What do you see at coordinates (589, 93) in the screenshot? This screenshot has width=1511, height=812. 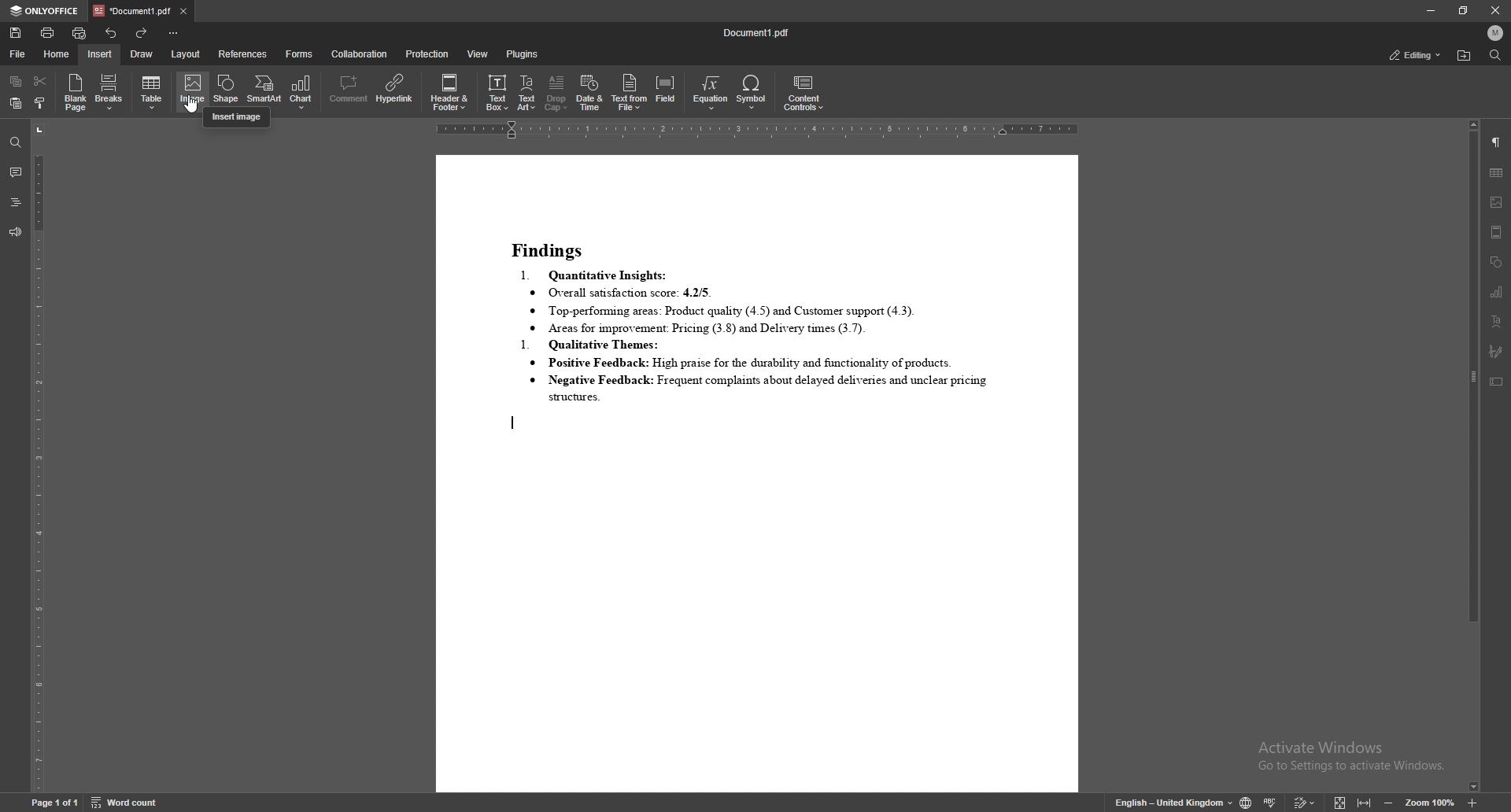 I see `date and time` at bounding box center [589, 93].